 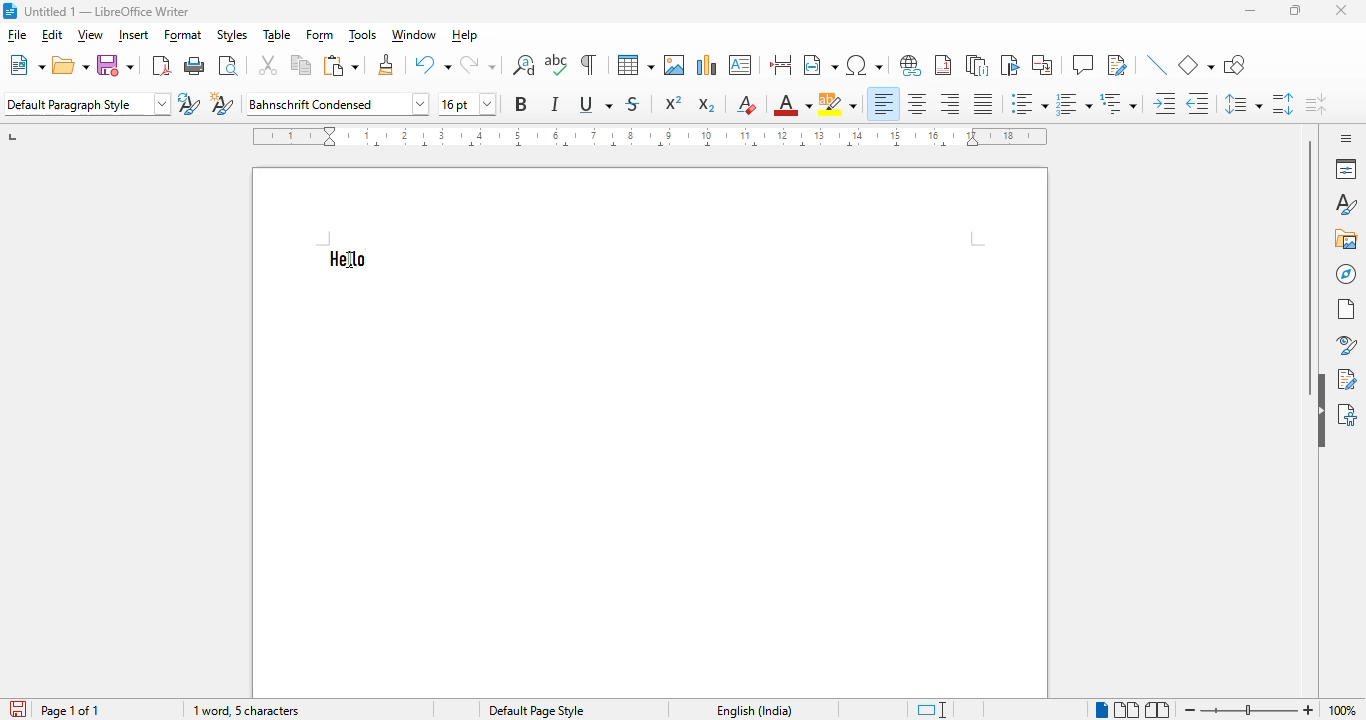 What do you see at coordinates (943, 65) in the screenshot?
I see `insert footnote` at bounding box center [943, 65].